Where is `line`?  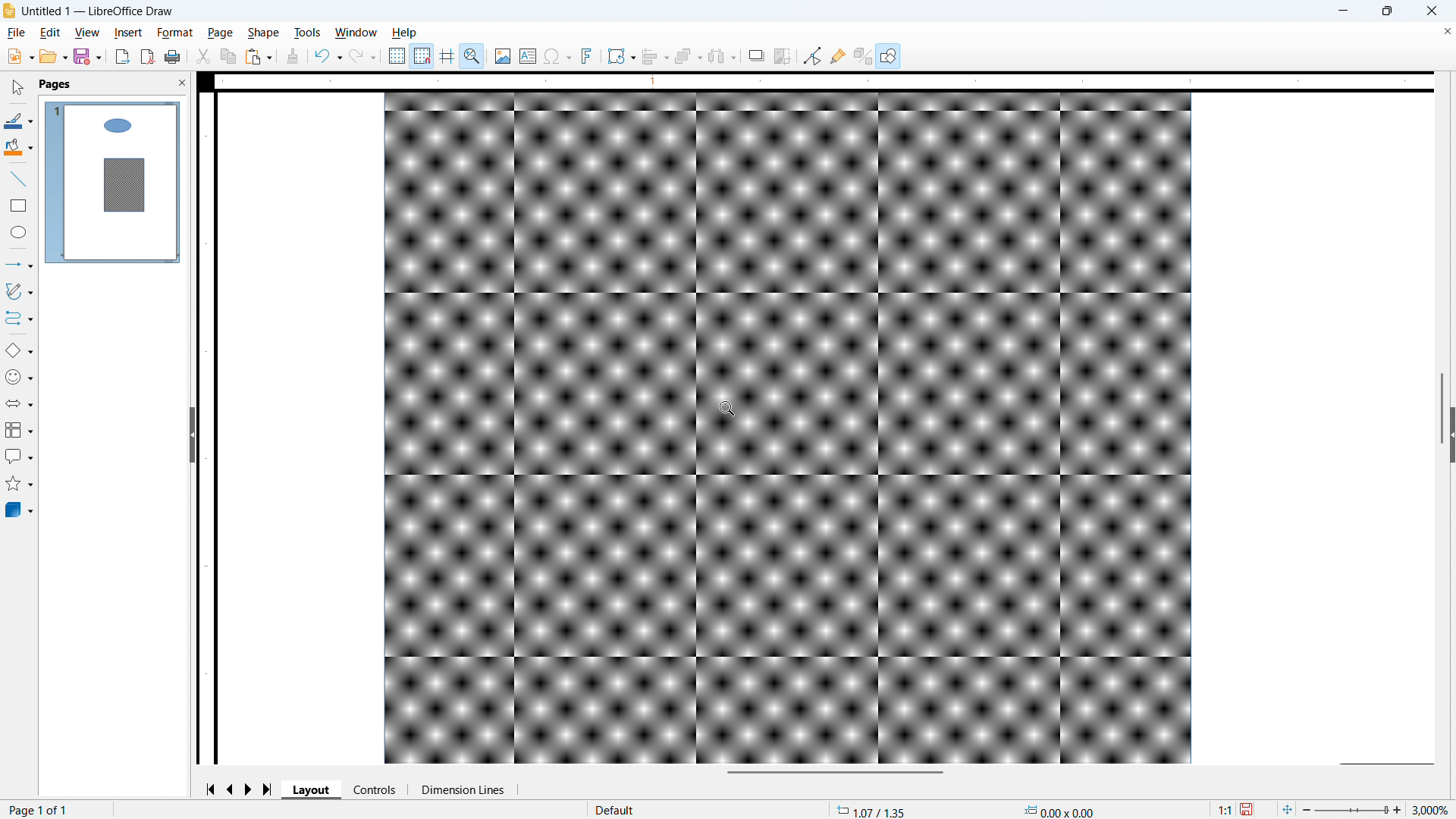 line is located at coordinates (17, 179).